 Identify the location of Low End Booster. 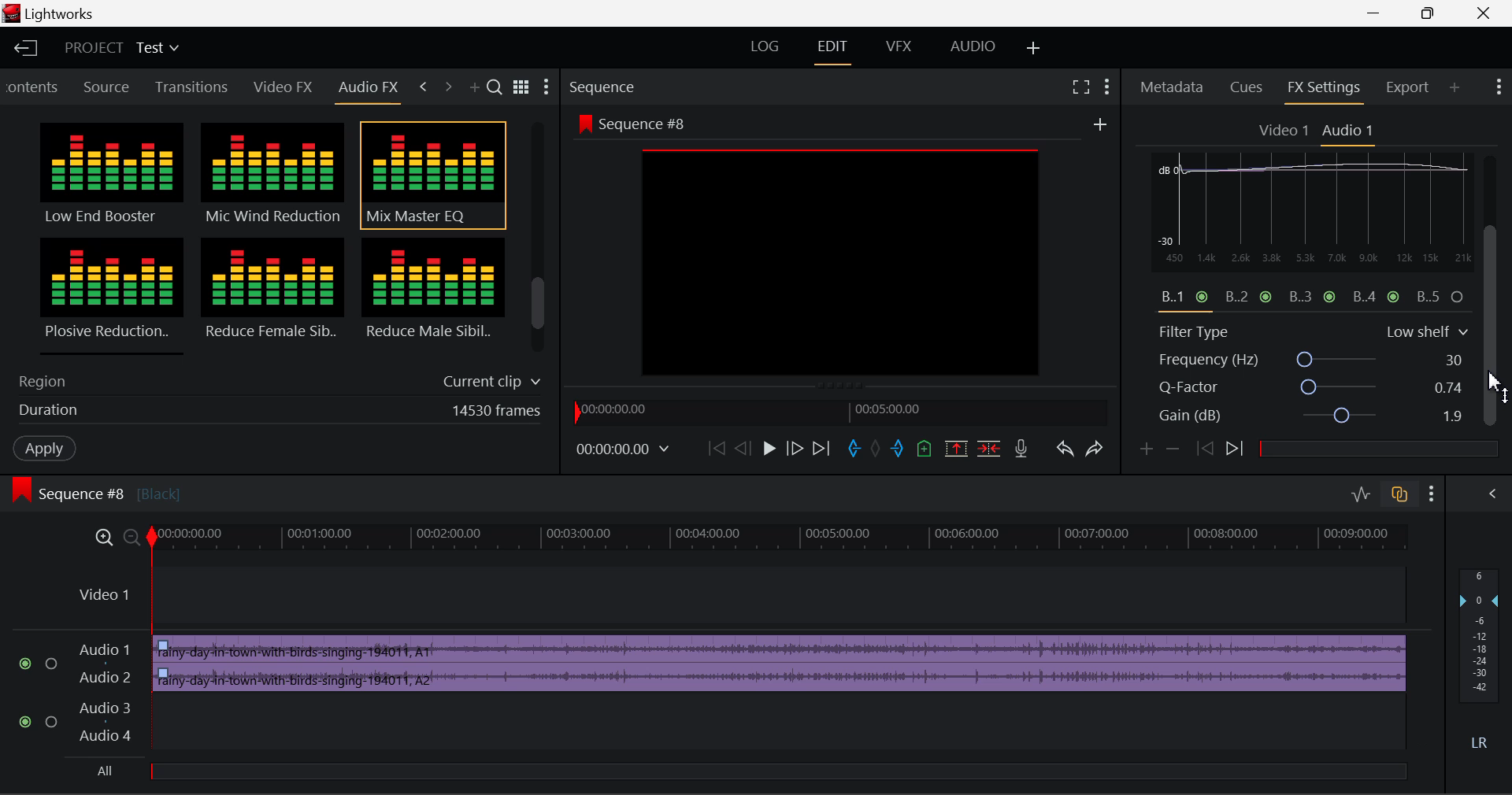
(109, 175).